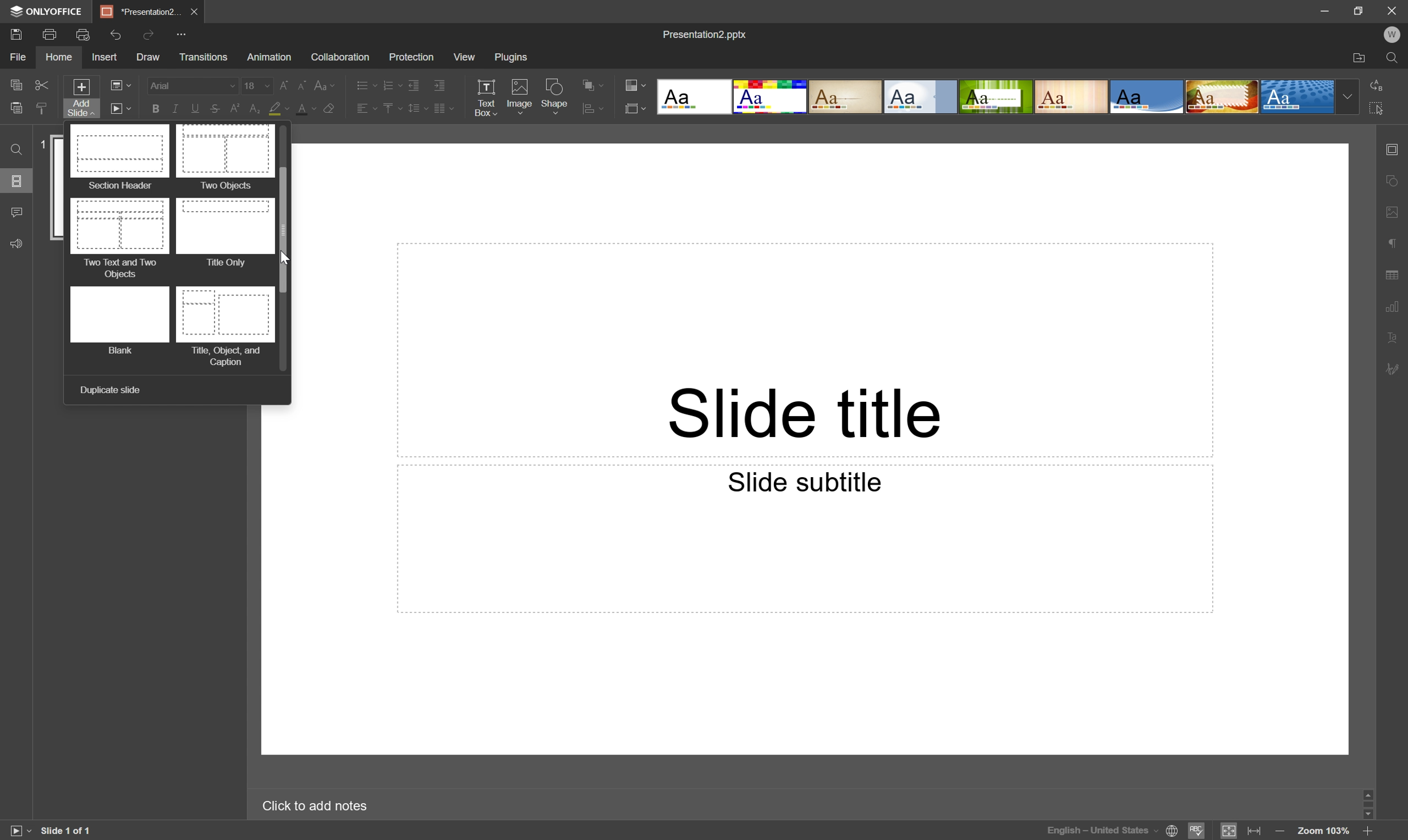 The height and width of the screenshot is (840, 1408). I want to click on Slide settings, so click(1396, 147).